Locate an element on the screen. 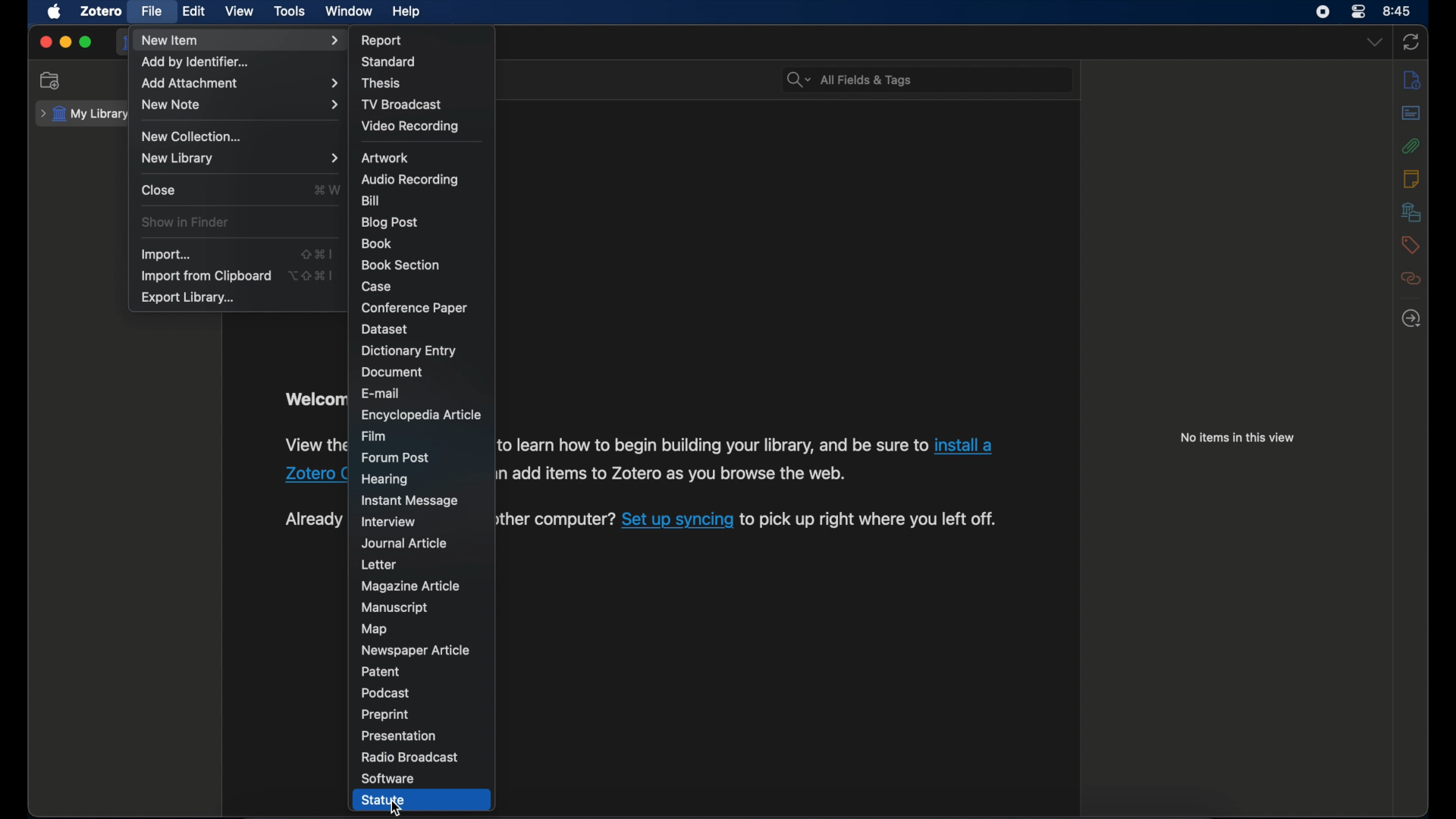  tags is located at coordinates (1410, 245).